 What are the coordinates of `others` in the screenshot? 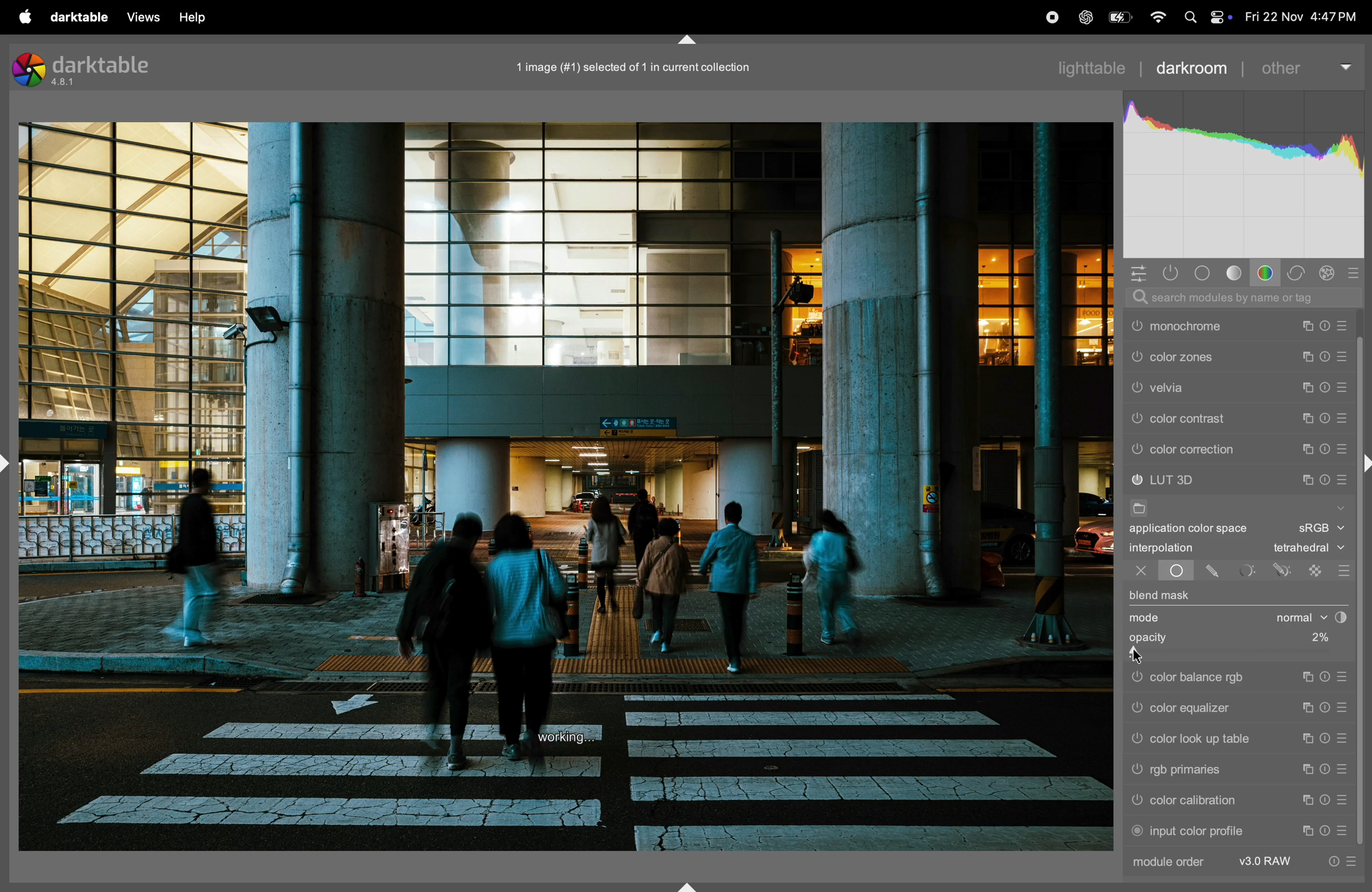 It's located at (1308, 66).